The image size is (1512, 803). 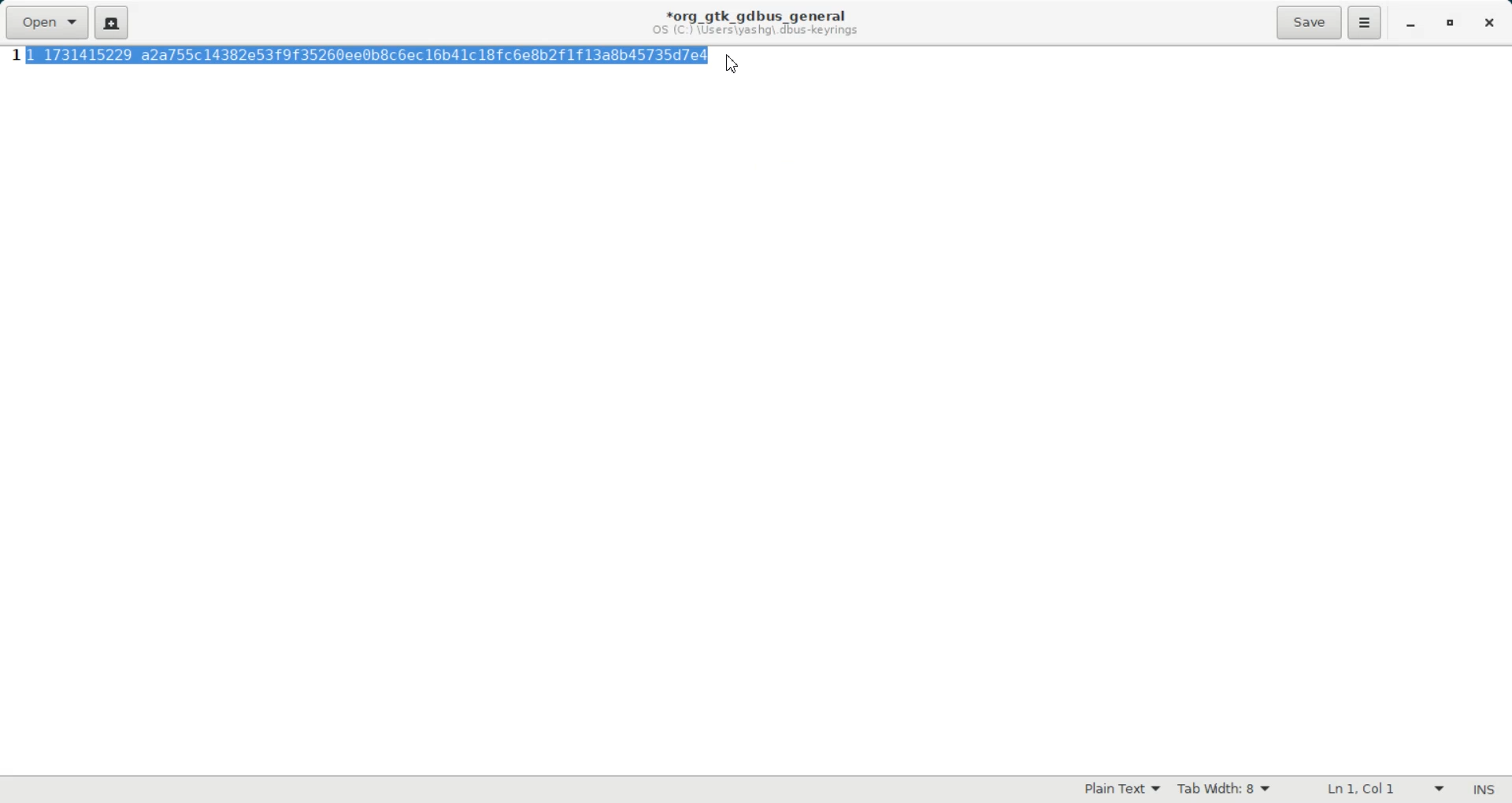 I want to click on Line Number, so click(x=14, y=56).